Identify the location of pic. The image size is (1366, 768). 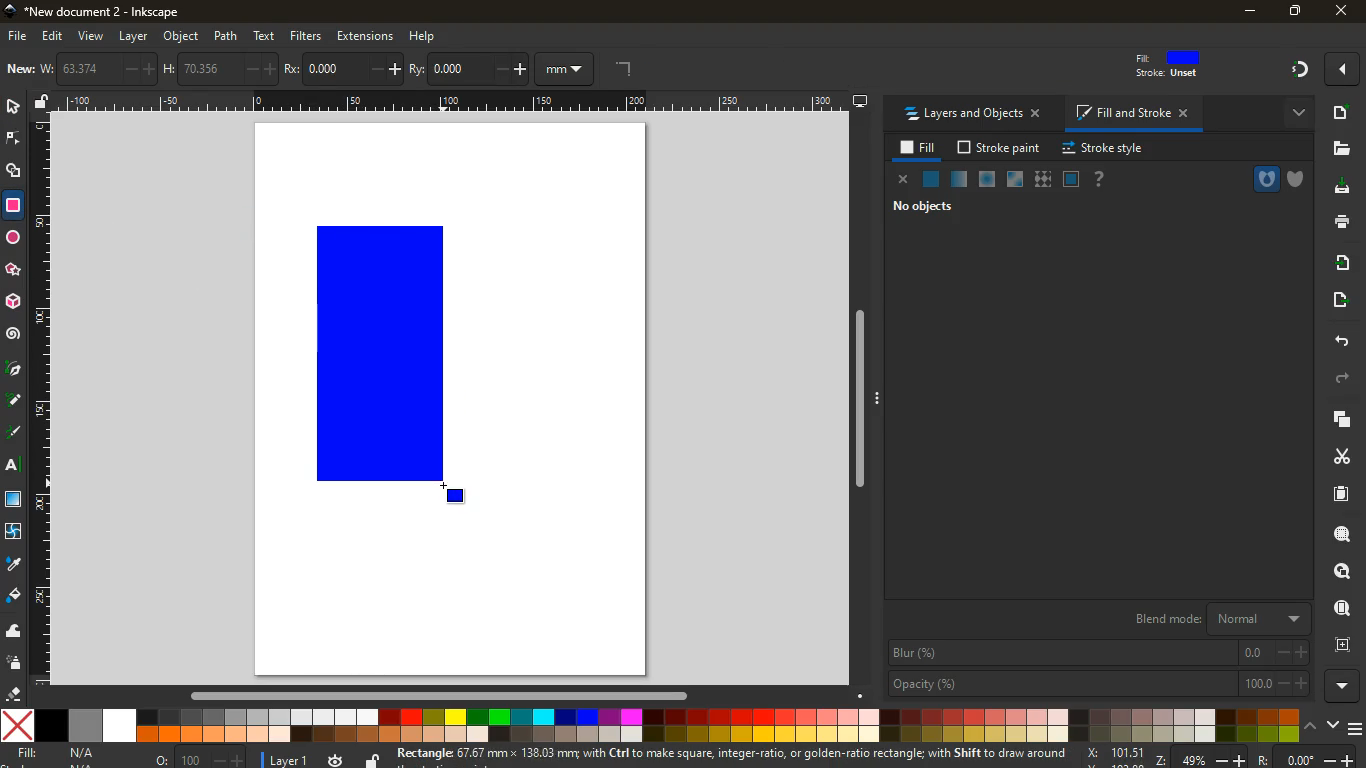
(14, 366).